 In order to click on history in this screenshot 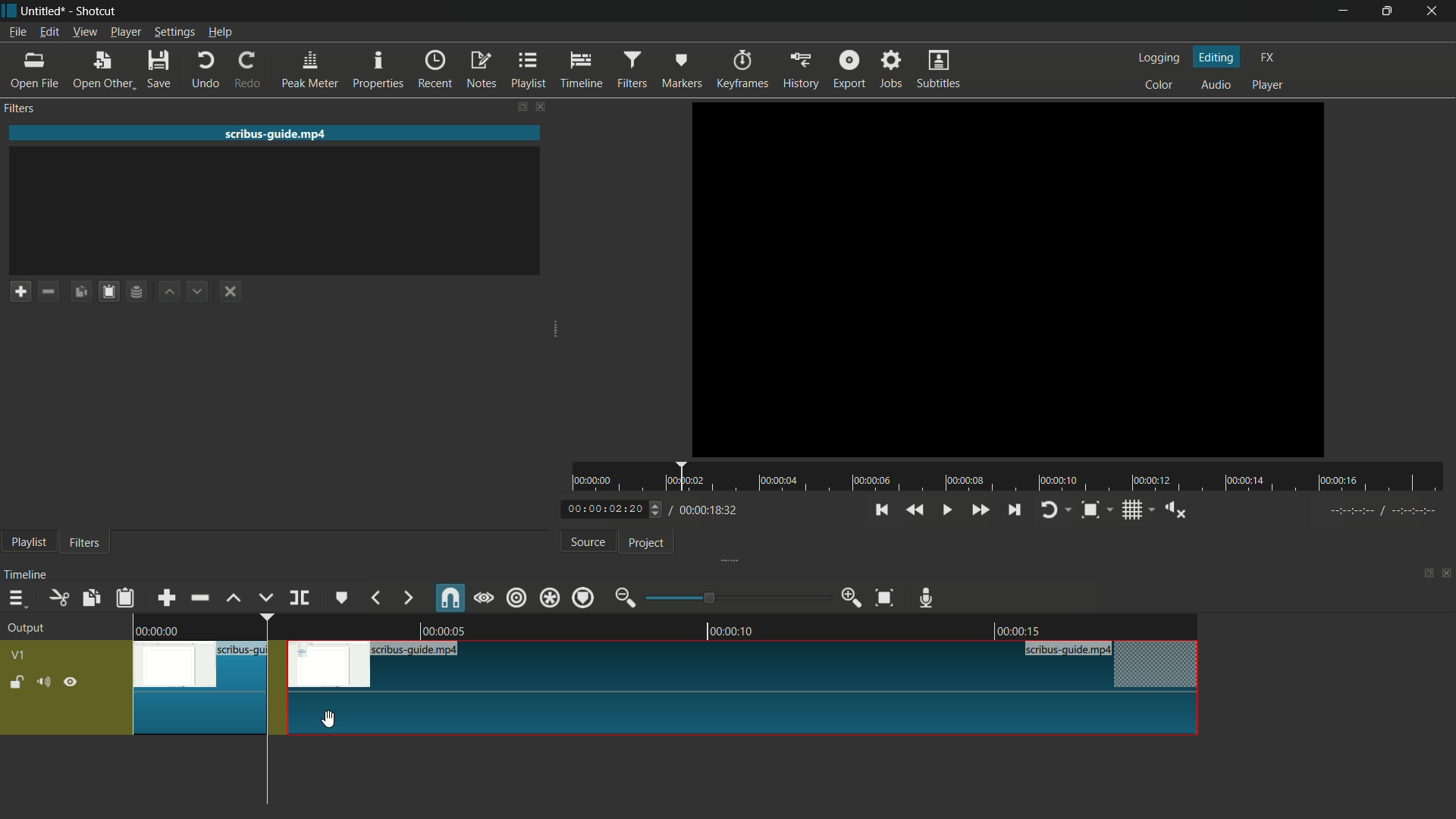, I will do `click(800, 71)`.